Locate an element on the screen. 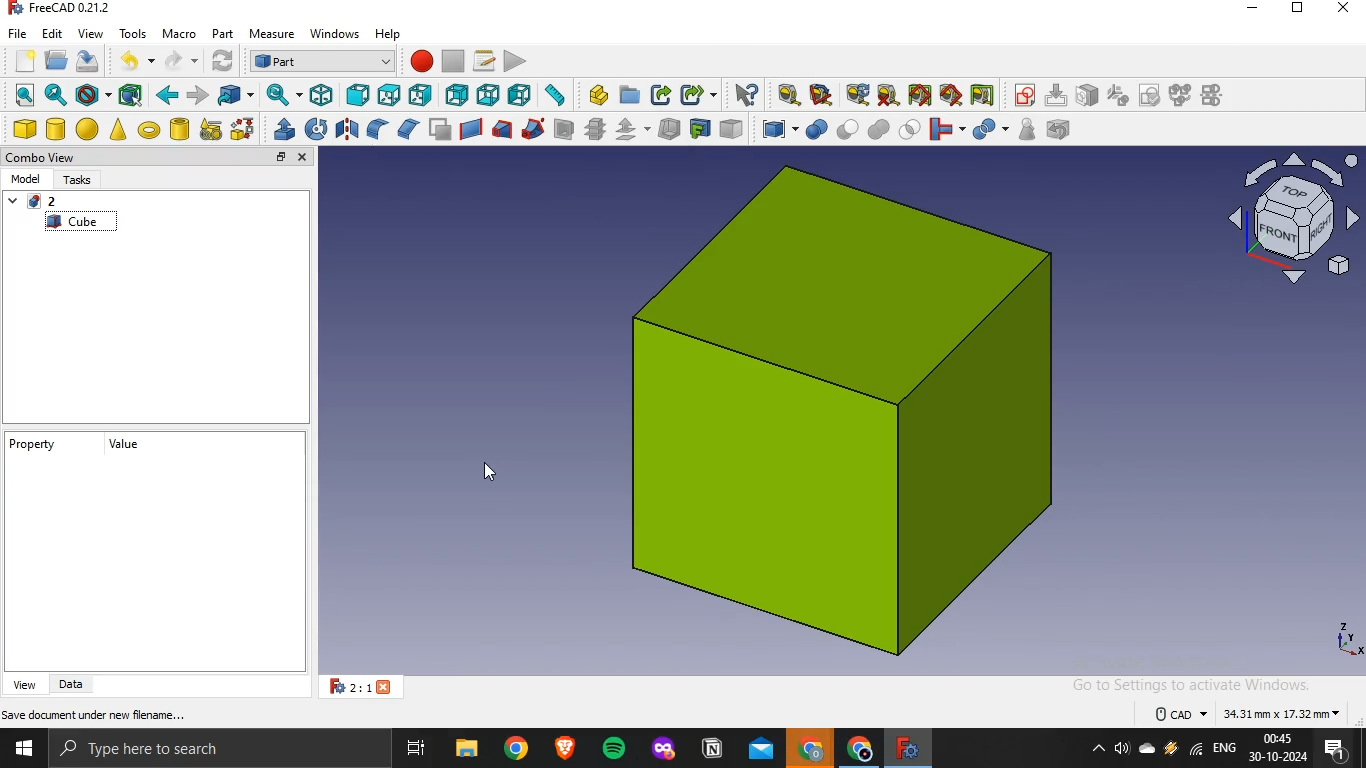 This screenshot has height=768, width=1366. shape builder is located at coordinates (243, 129).